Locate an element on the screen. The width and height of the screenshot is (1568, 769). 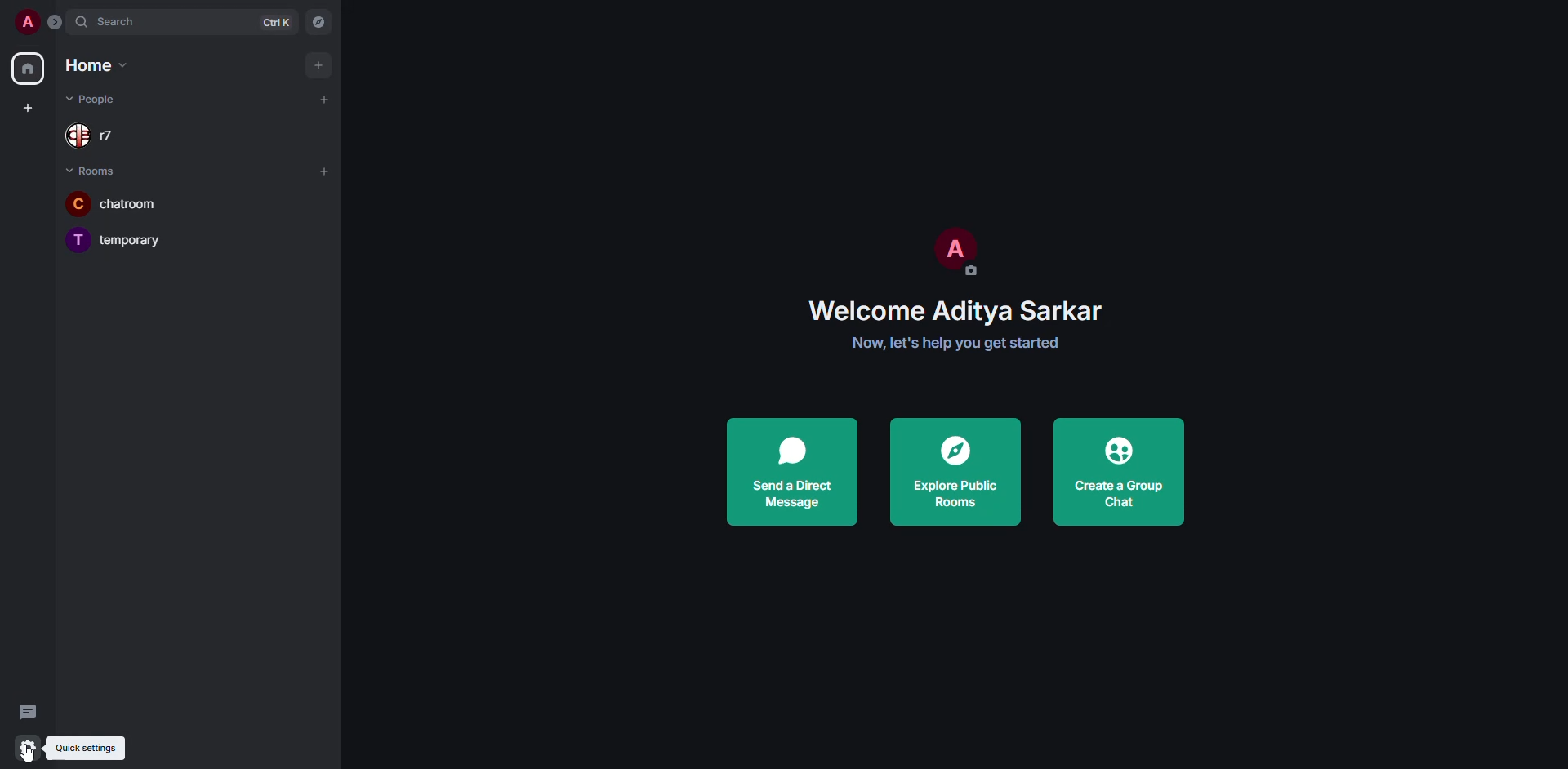
temporary is located at coordinates (114, 237).